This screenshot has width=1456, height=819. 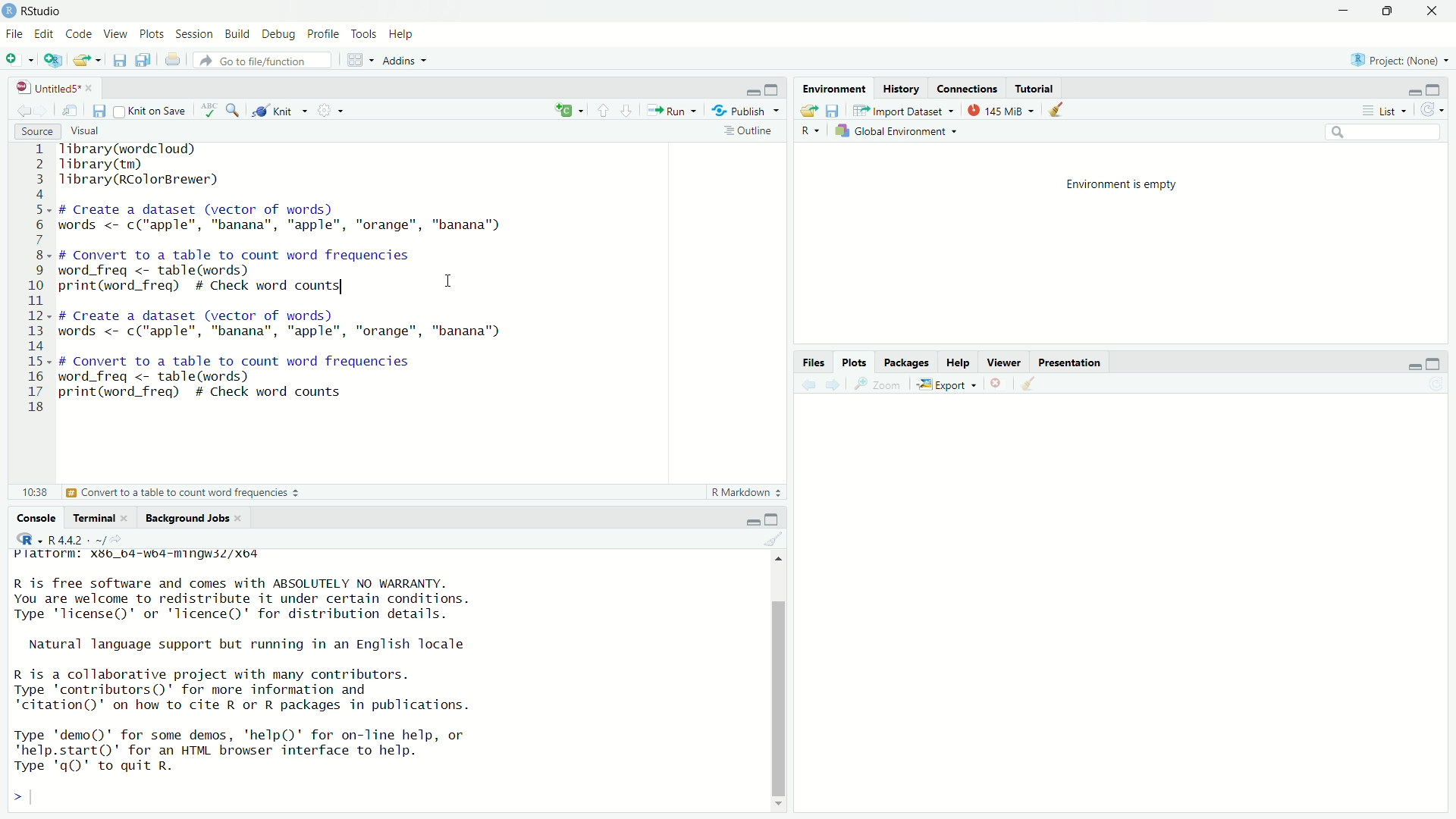 I want to click on Help, so click(x=959, y=362).